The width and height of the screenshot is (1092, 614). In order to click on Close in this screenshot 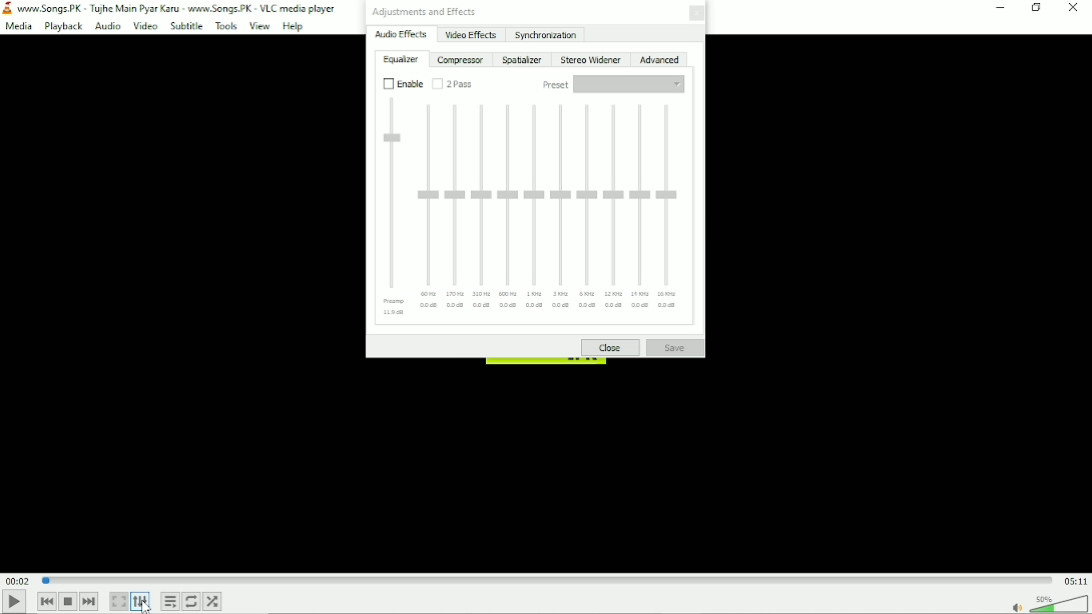, I will do `click(610, 347)`.